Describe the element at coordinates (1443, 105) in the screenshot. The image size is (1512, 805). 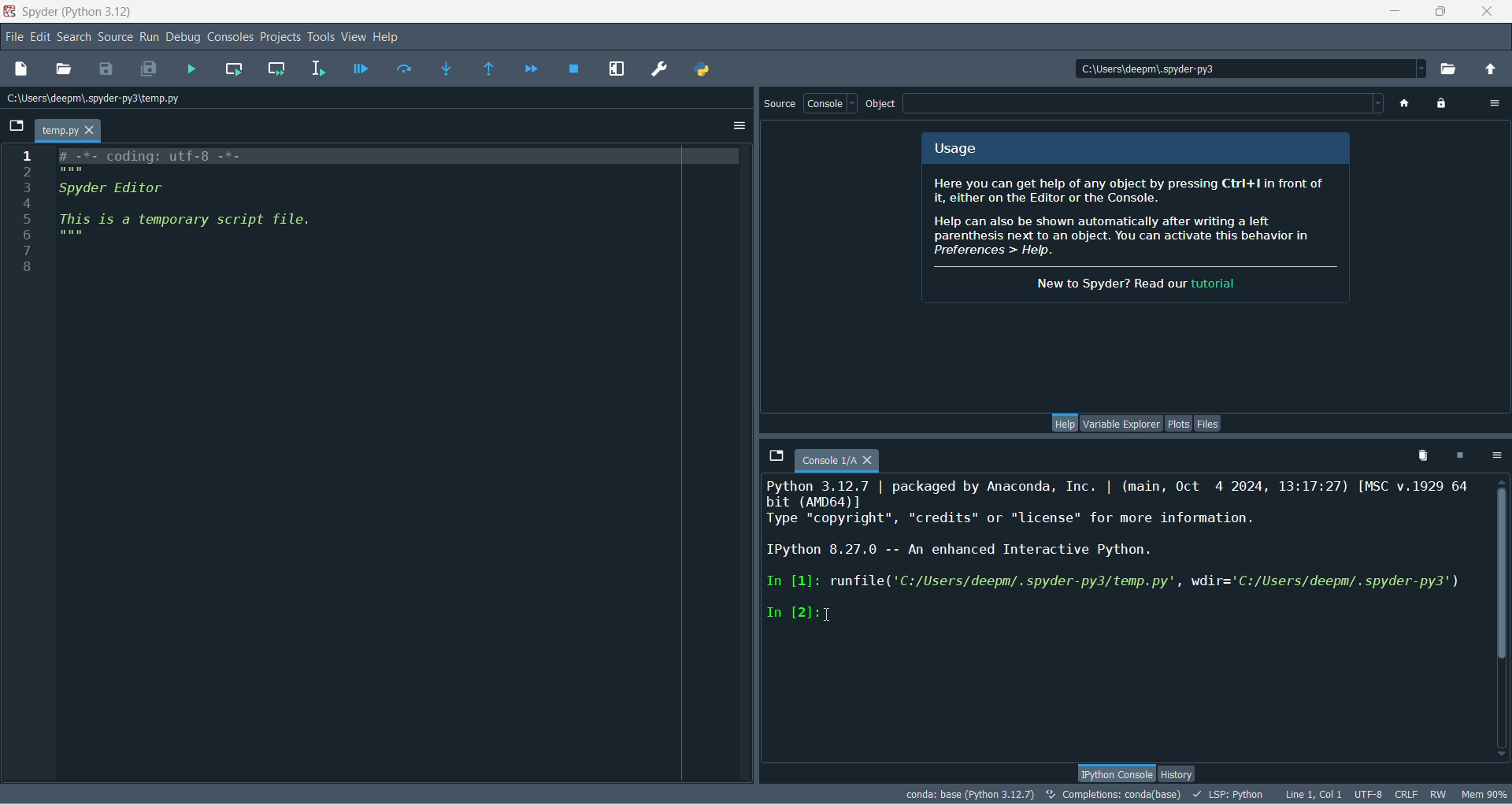
I see `lock` at that location.